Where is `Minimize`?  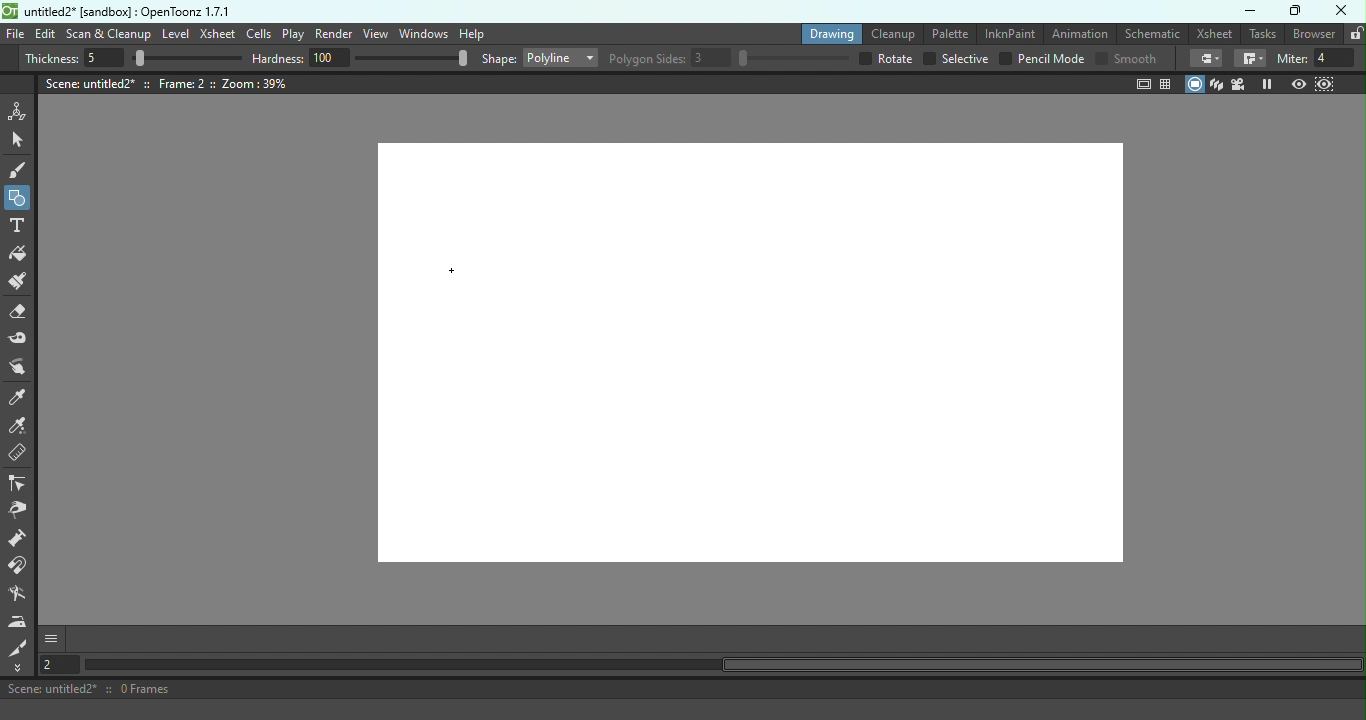
Minimize is located at coordinates (1251, 11).